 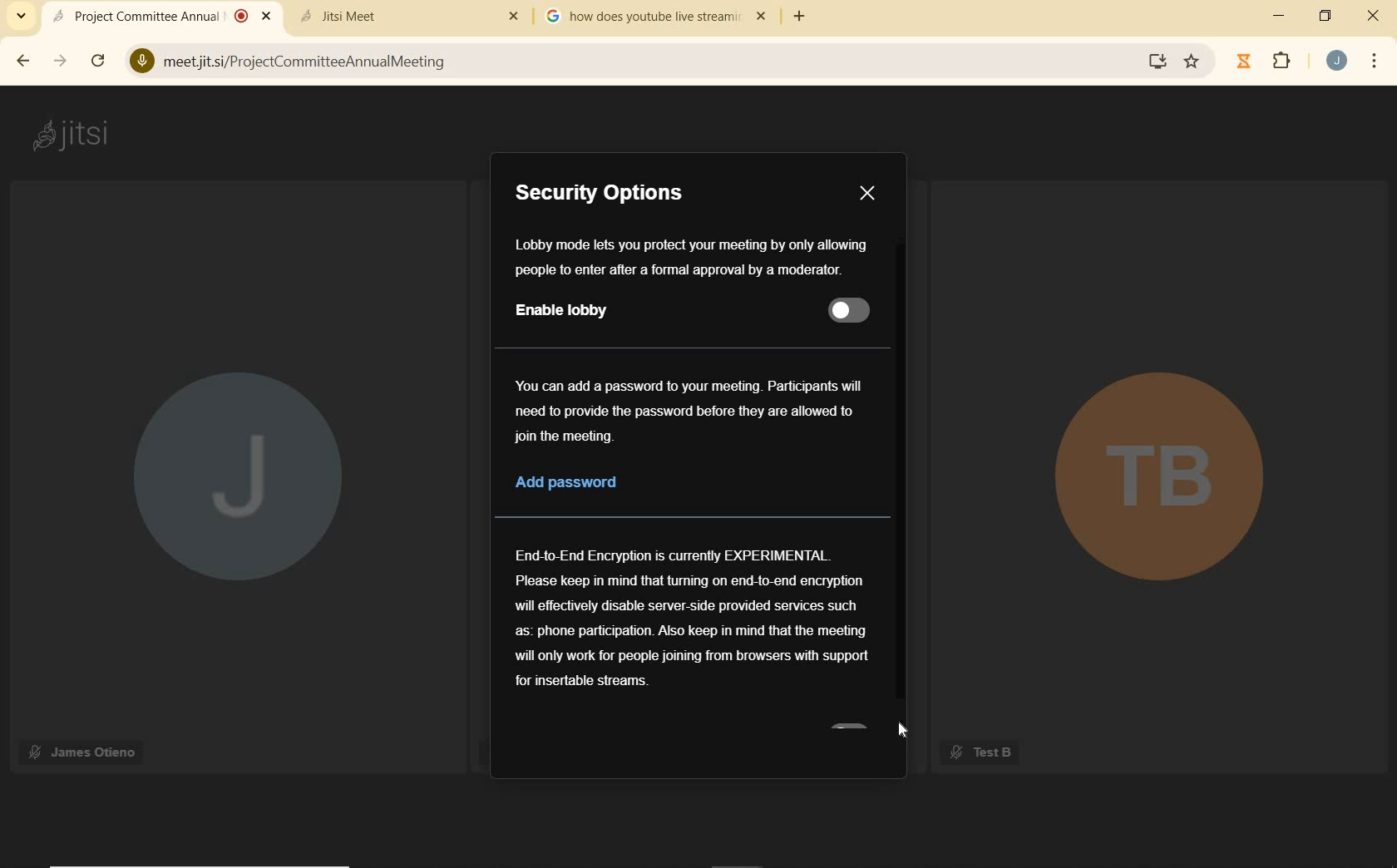 What do you see at coordinates (1157, 62) in the screenshot?
I see `screen` at bounding box center [1157, 62].